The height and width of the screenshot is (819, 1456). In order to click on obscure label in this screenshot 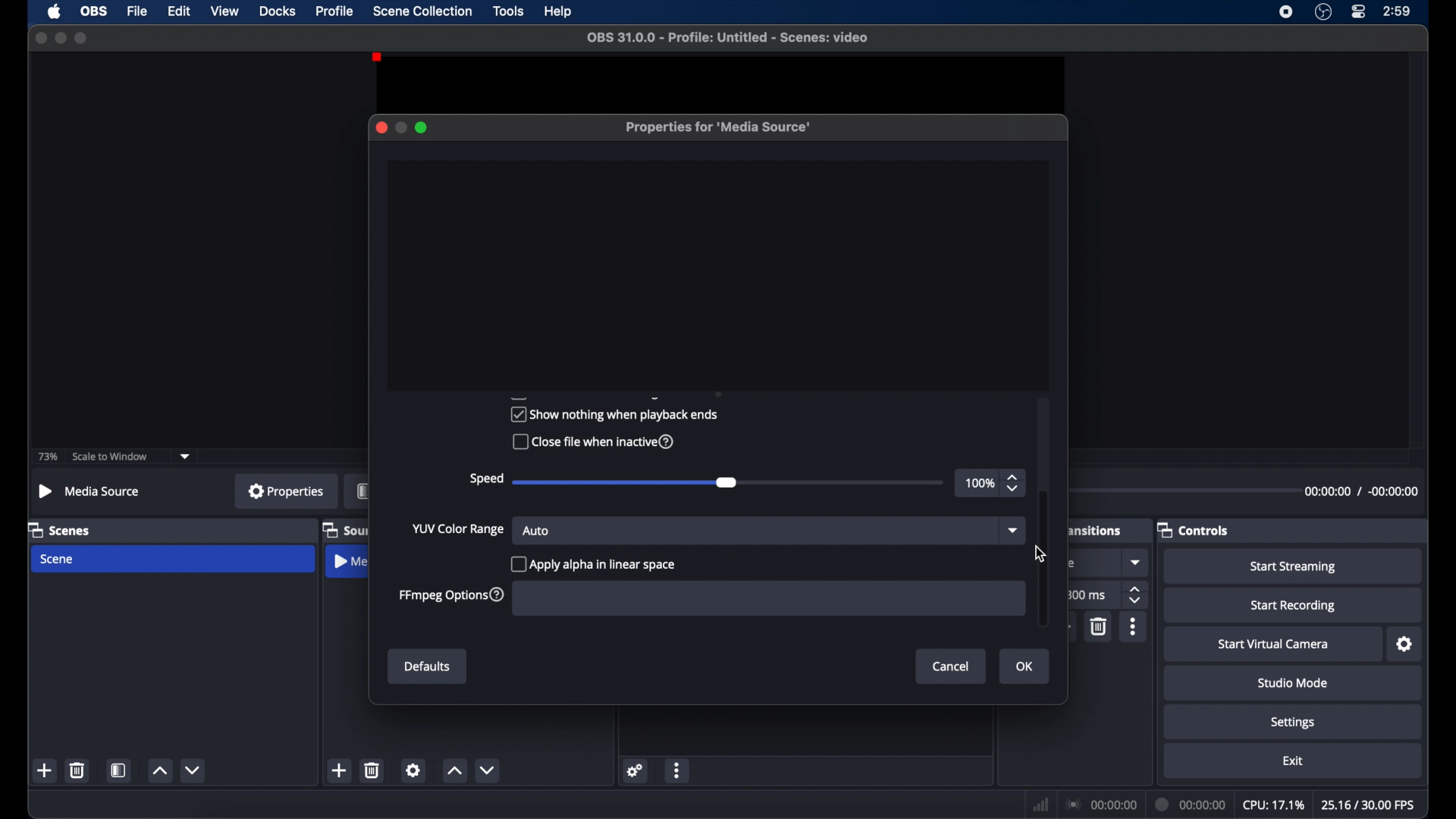, I will do `click(362, 491)`.